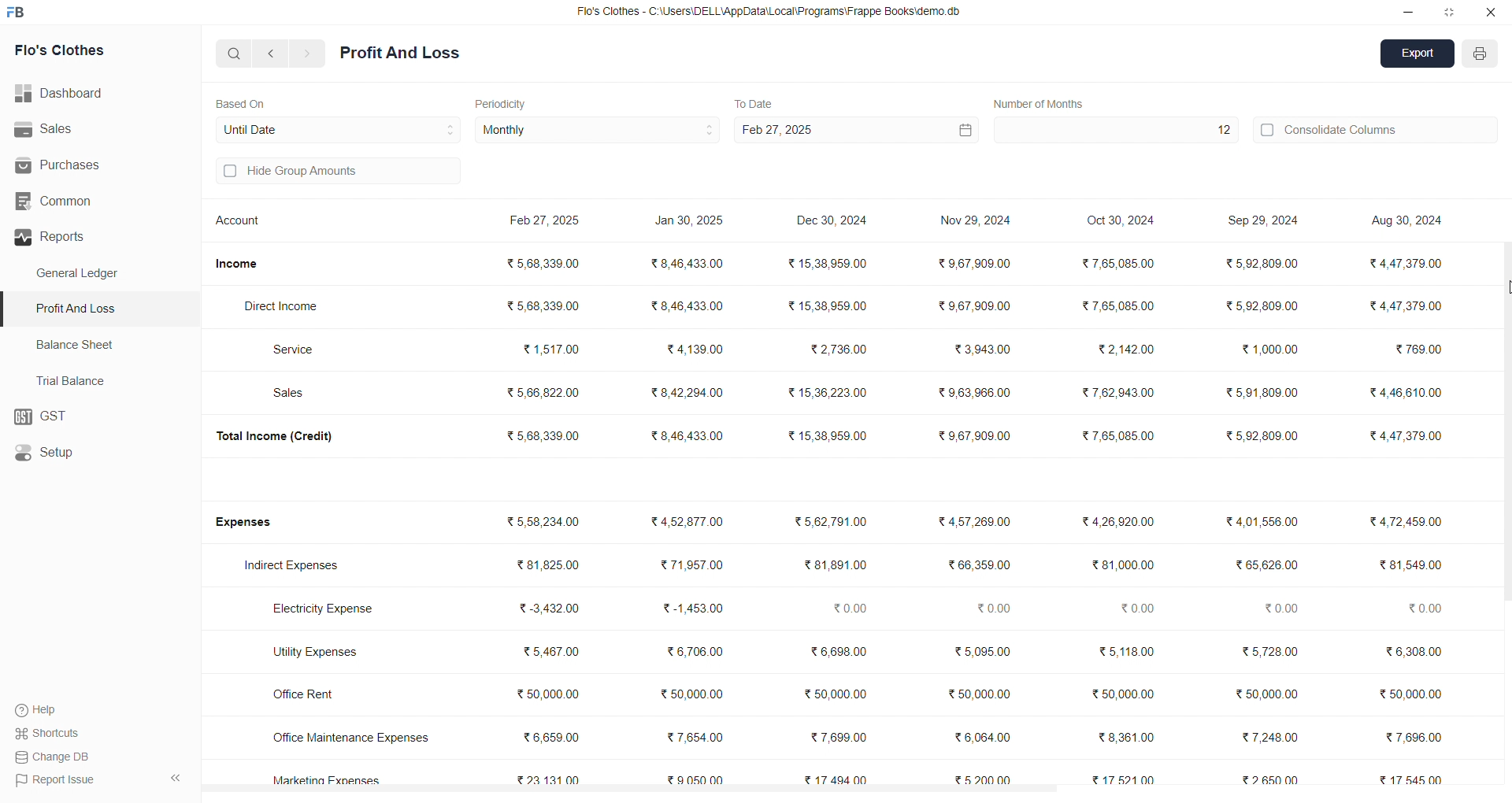 The width and height of the screenshot is (1512, 803). What do you see at coordinates (690, 521) in the screenshot?
I see `₹4,52,877.00` at bounding box center [690, 521].